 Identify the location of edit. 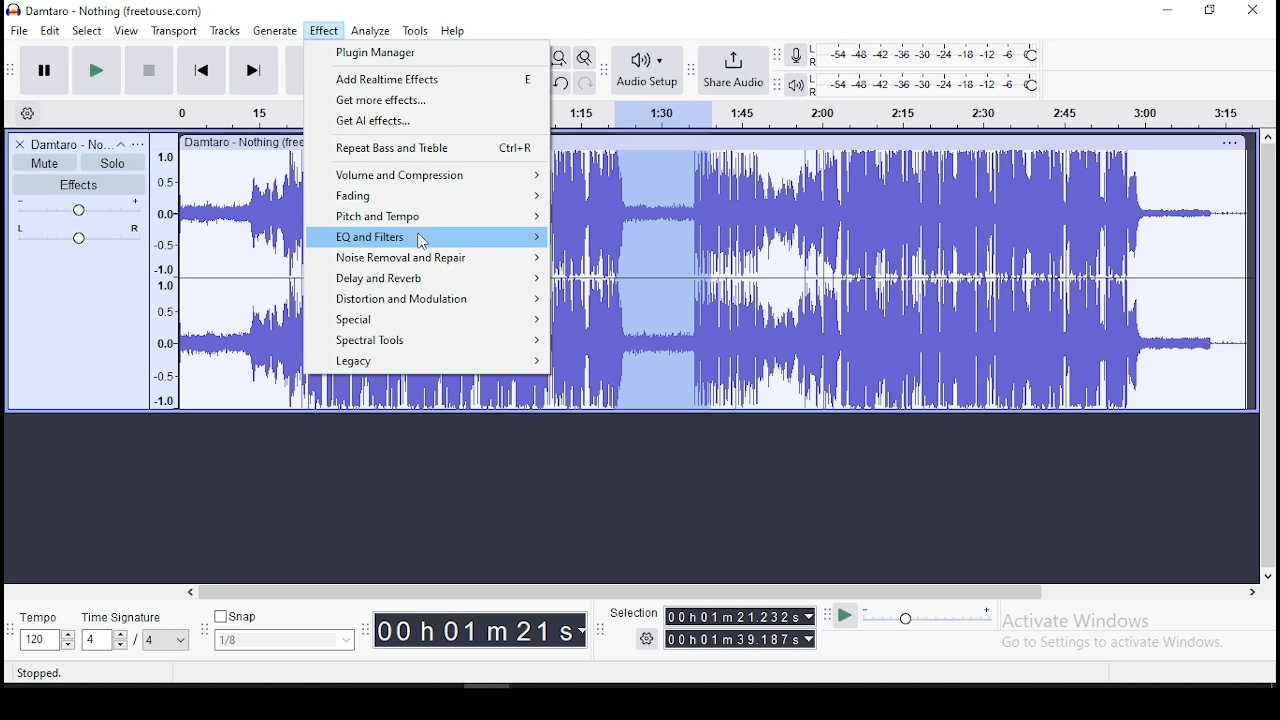
(51, 31).